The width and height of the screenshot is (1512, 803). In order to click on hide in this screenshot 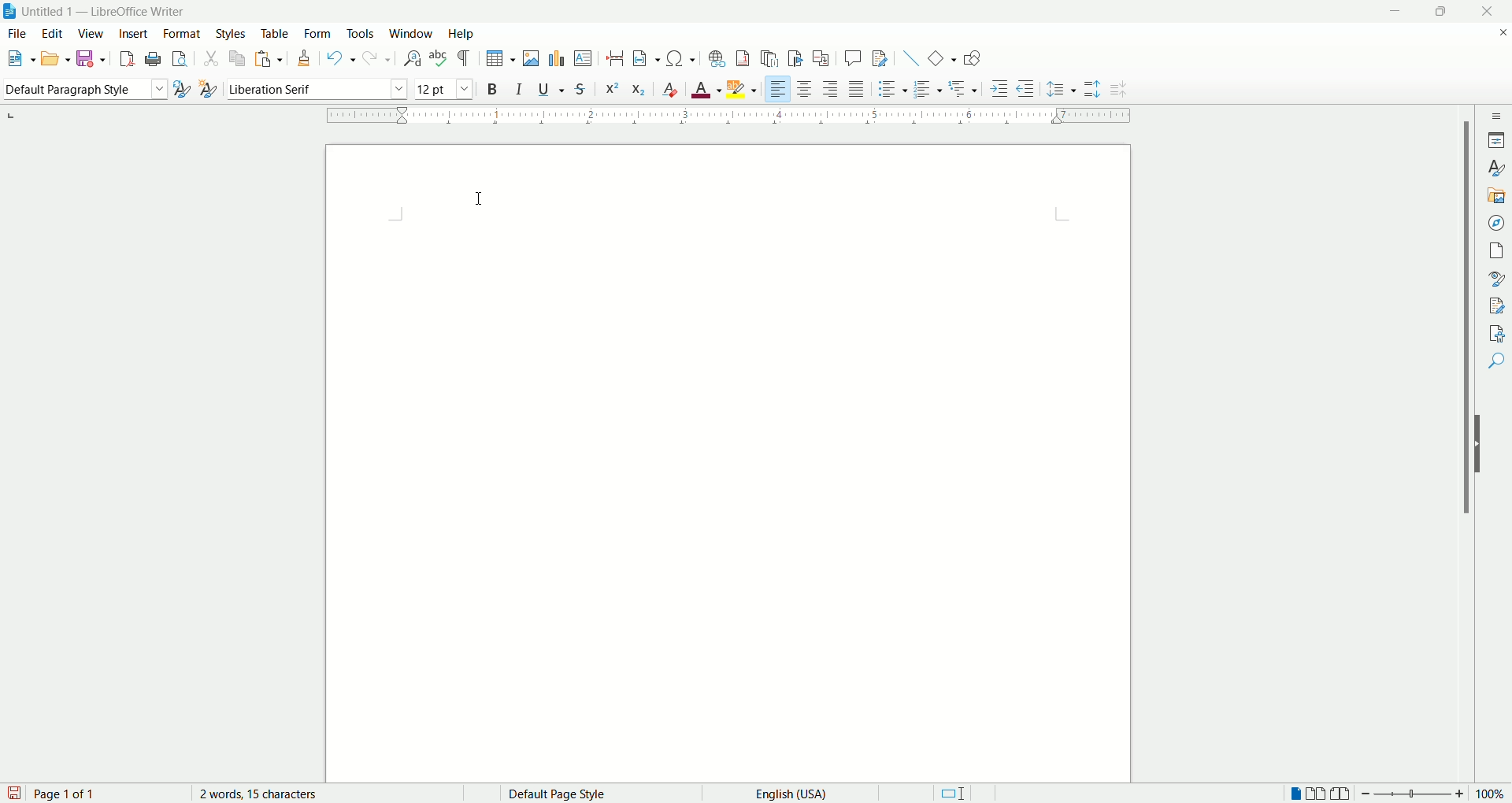, I will do `click(1482, 448)`.